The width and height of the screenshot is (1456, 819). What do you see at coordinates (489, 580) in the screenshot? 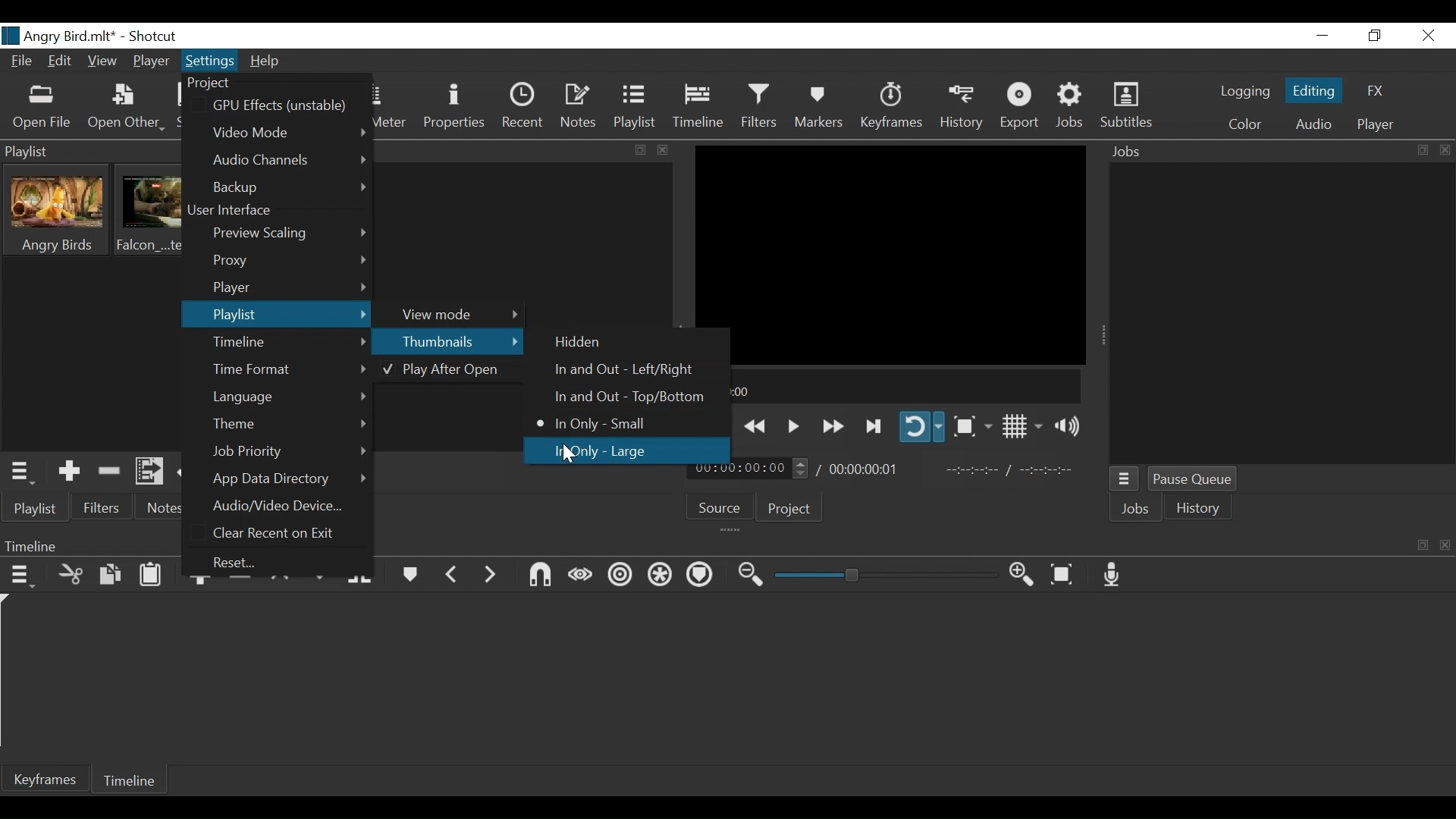
I see `Next marker` at bounding box center [489, 580].